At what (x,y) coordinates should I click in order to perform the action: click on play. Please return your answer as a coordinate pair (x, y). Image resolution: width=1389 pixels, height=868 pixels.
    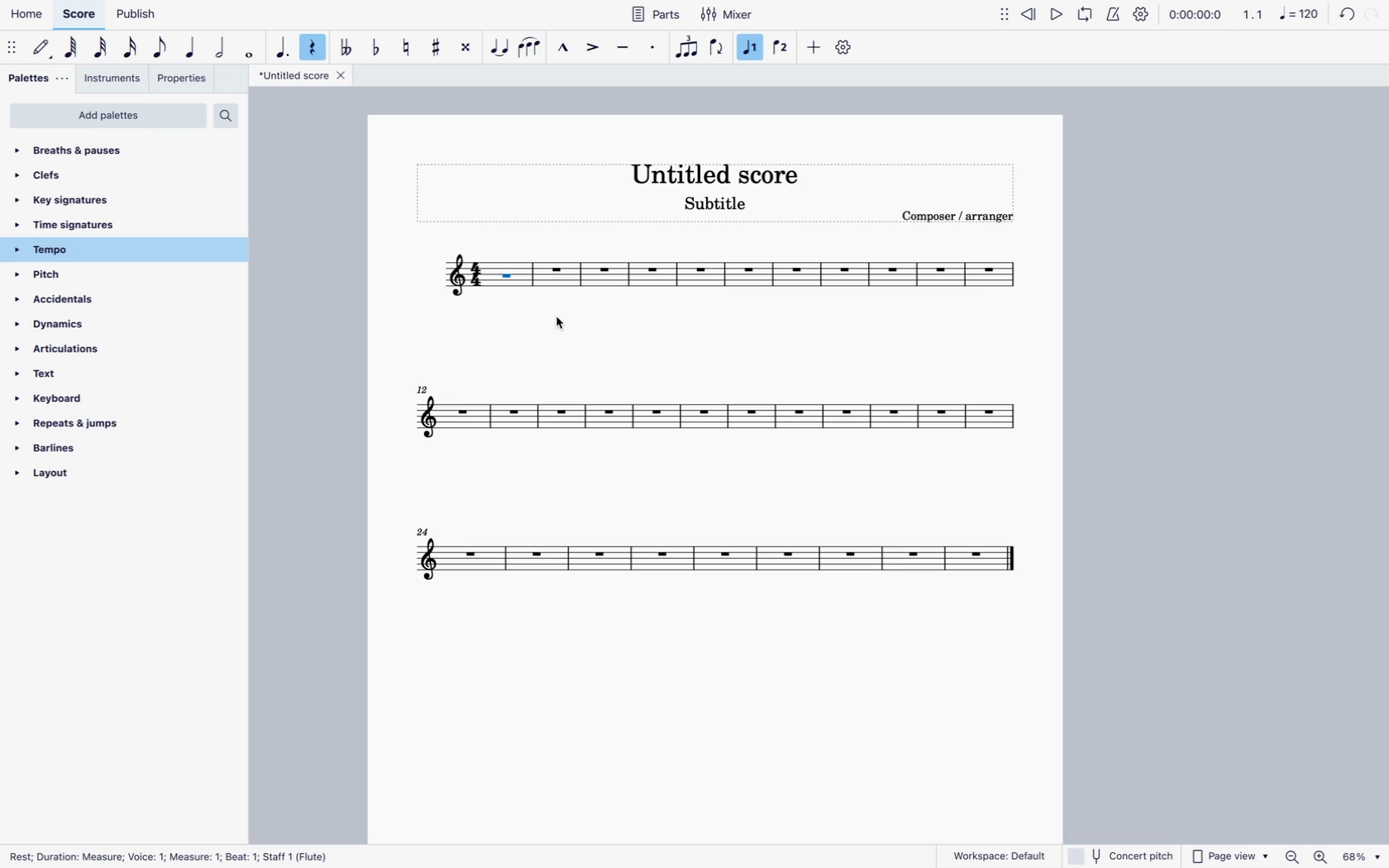
    Looking at the image, I should click on (1056, 13).